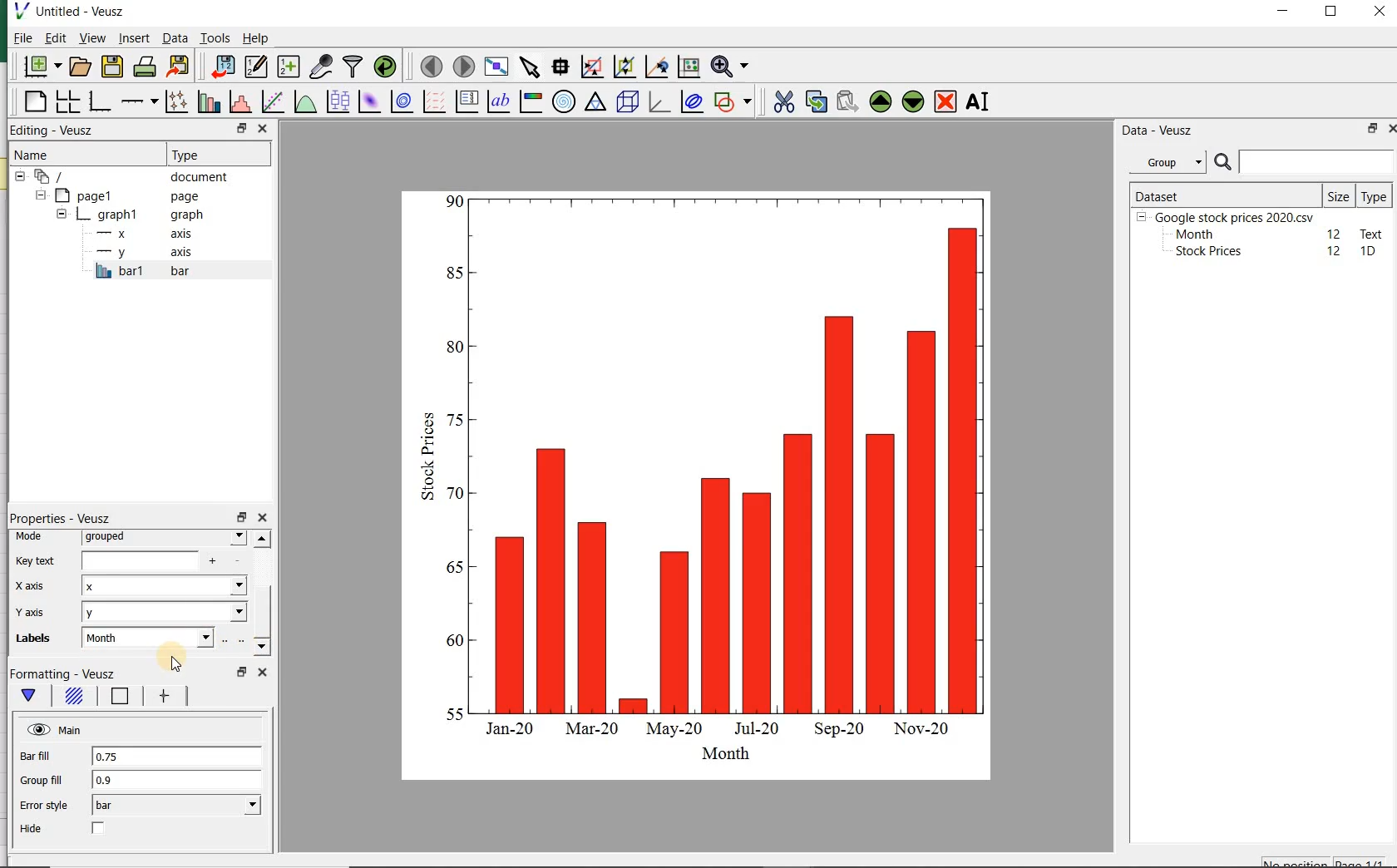 The width and height of the screenshot is (1397, 868). I want to click on click to recenter graph axes, so click(654, 67).